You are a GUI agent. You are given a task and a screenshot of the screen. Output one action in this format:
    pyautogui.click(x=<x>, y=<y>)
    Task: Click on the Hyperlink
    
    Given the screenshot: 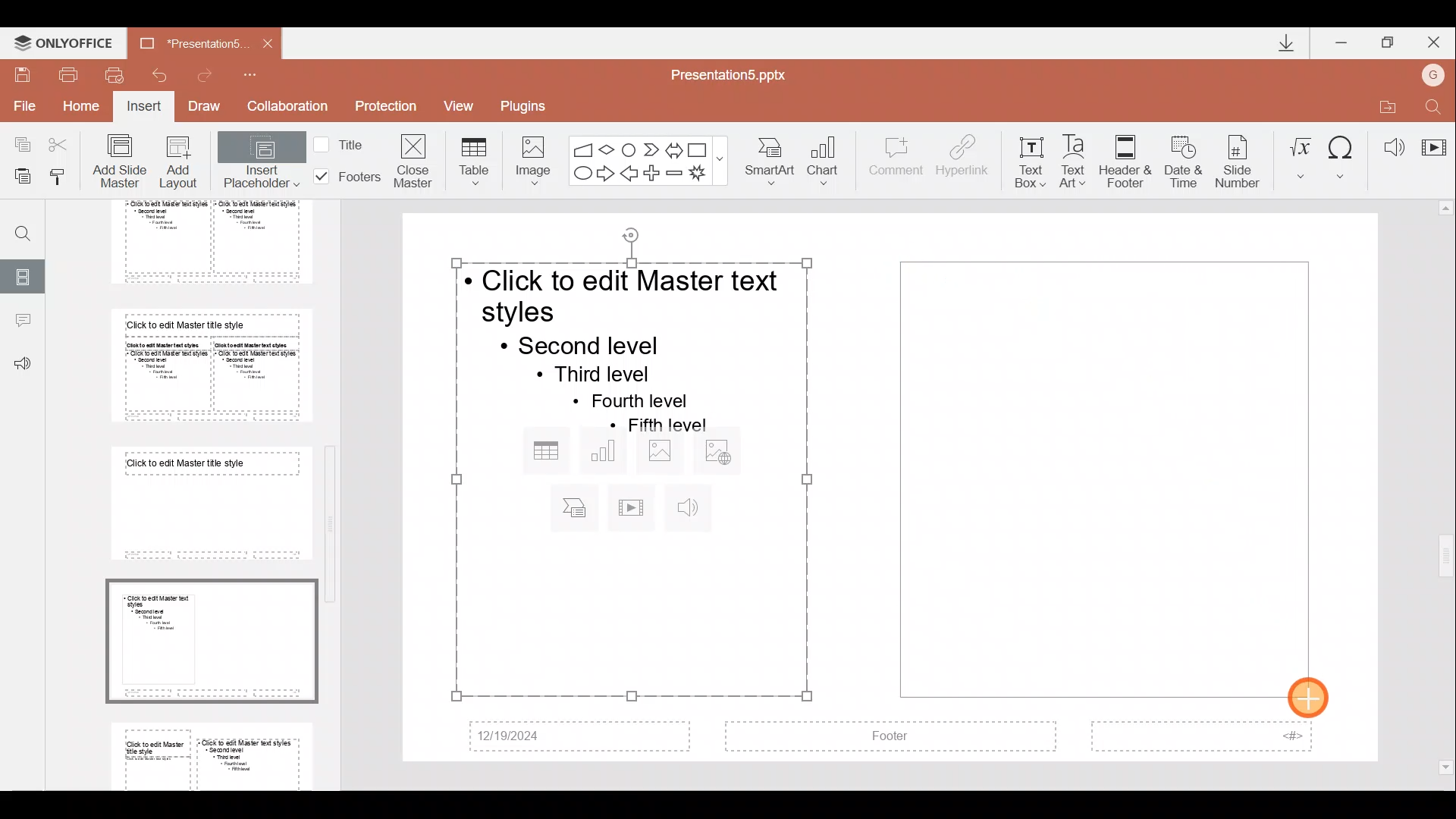 What is the action you would take?
    pyautogui.click(x=964, y=158)
    